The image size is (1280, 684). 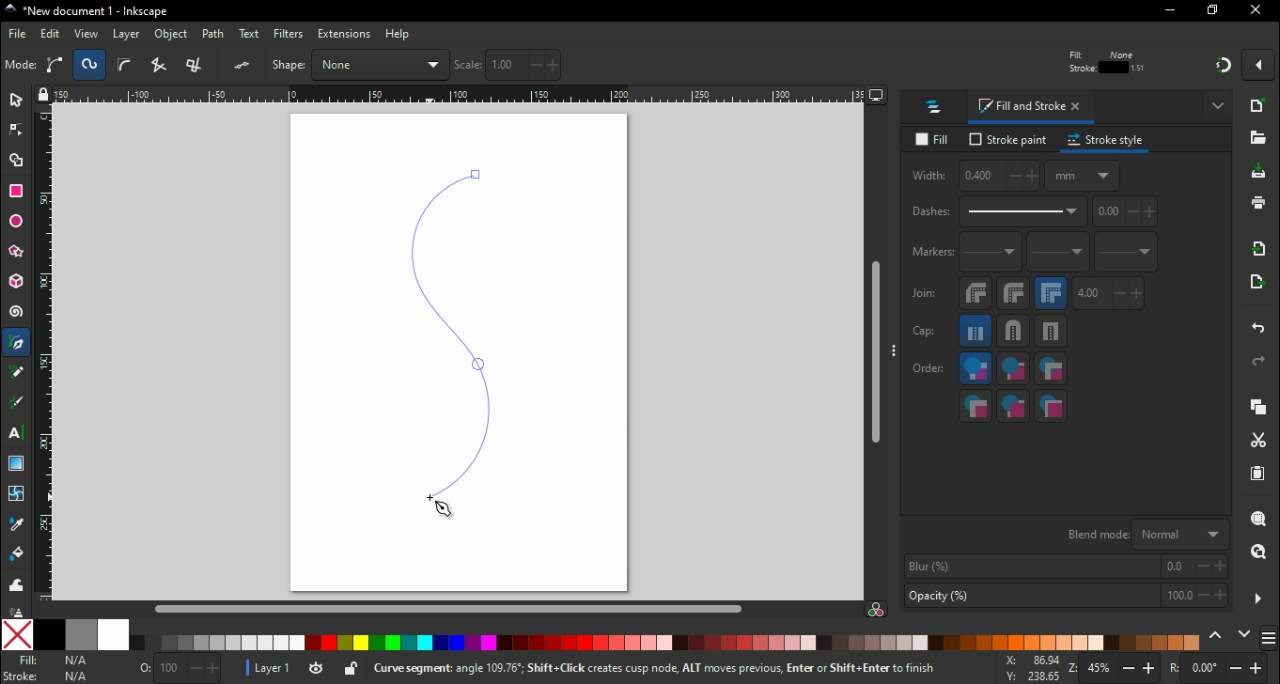 I want to click on text, so click(x=250, y=33).